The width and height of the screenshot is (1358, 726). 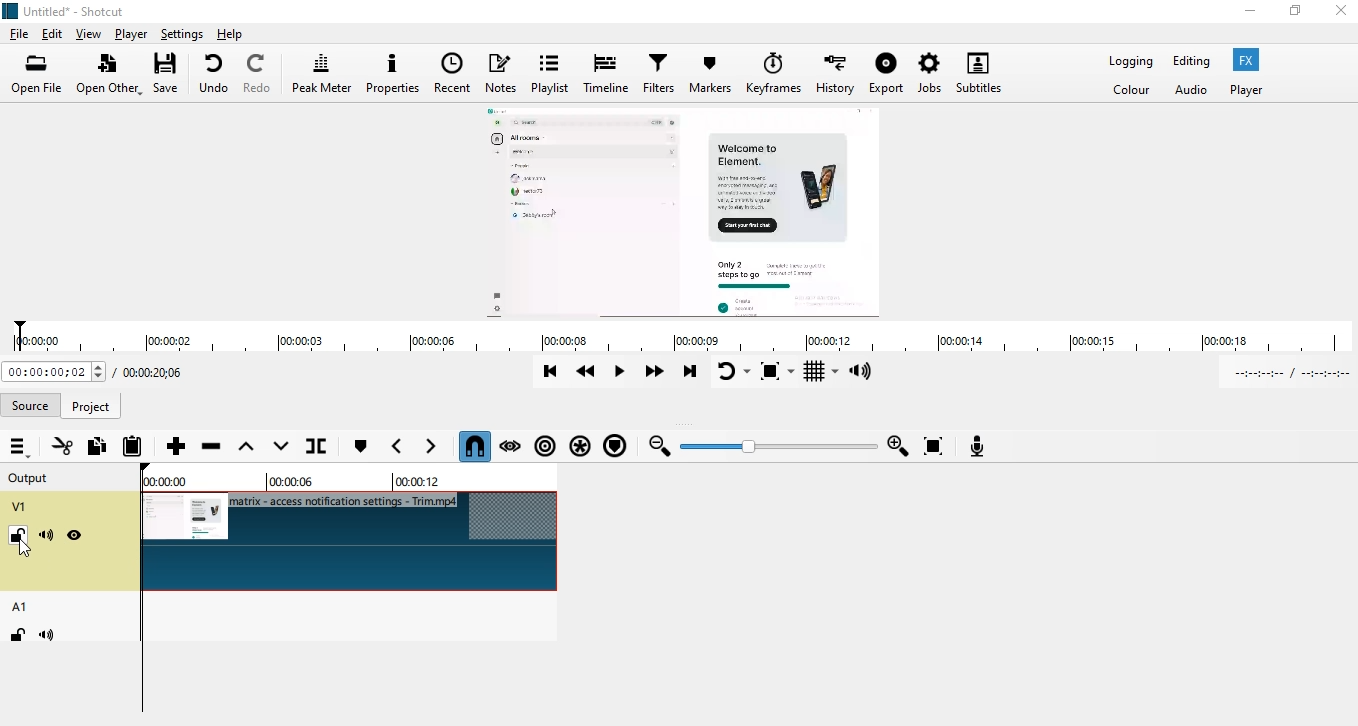 I want to click on history, so click(x=834, y=74).